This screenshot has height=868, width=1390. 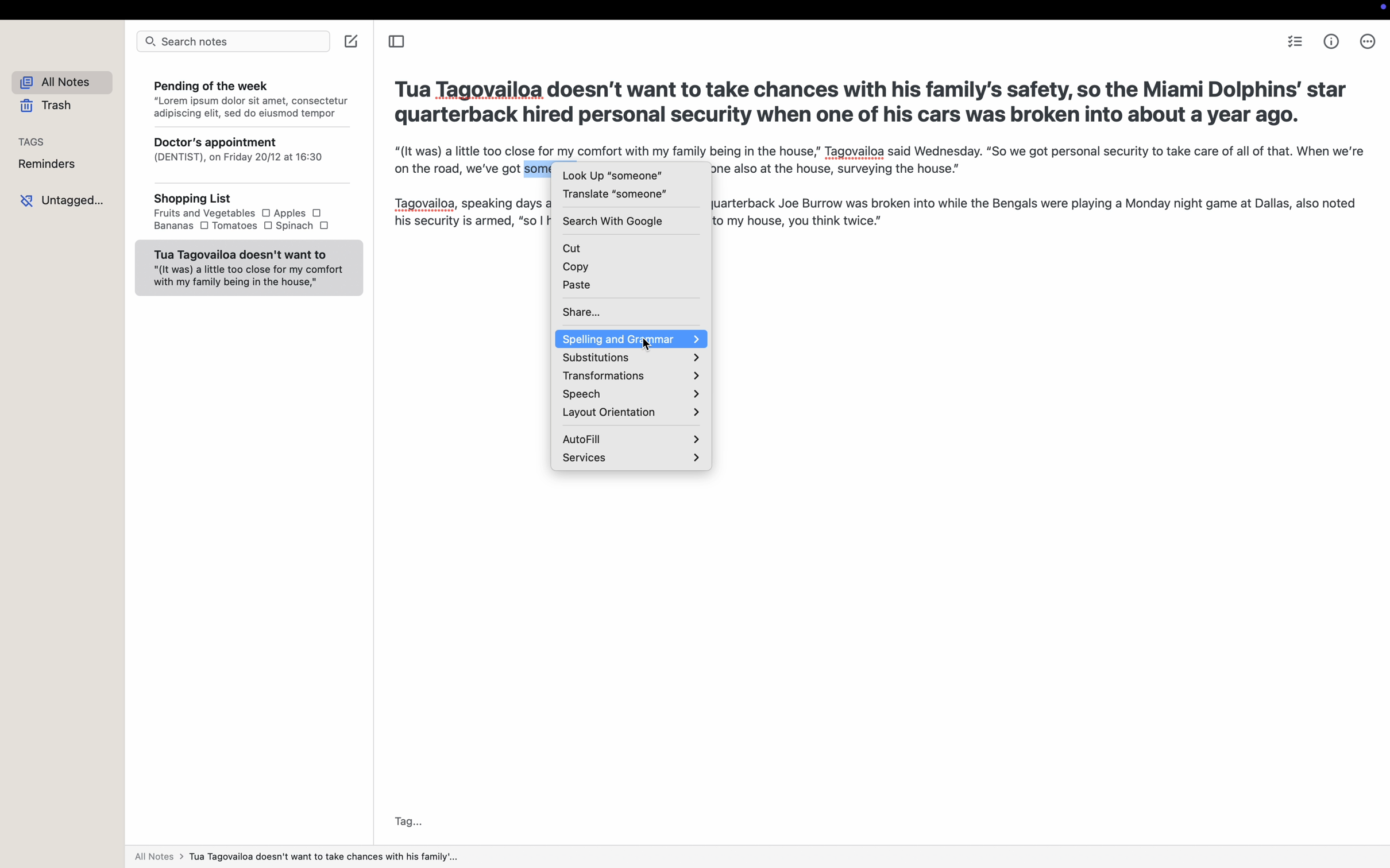 I want to click on LUOCTOr's appointment
(DENTIST), on Friday 20/12 at 16:30, so click(x=248, y=157).